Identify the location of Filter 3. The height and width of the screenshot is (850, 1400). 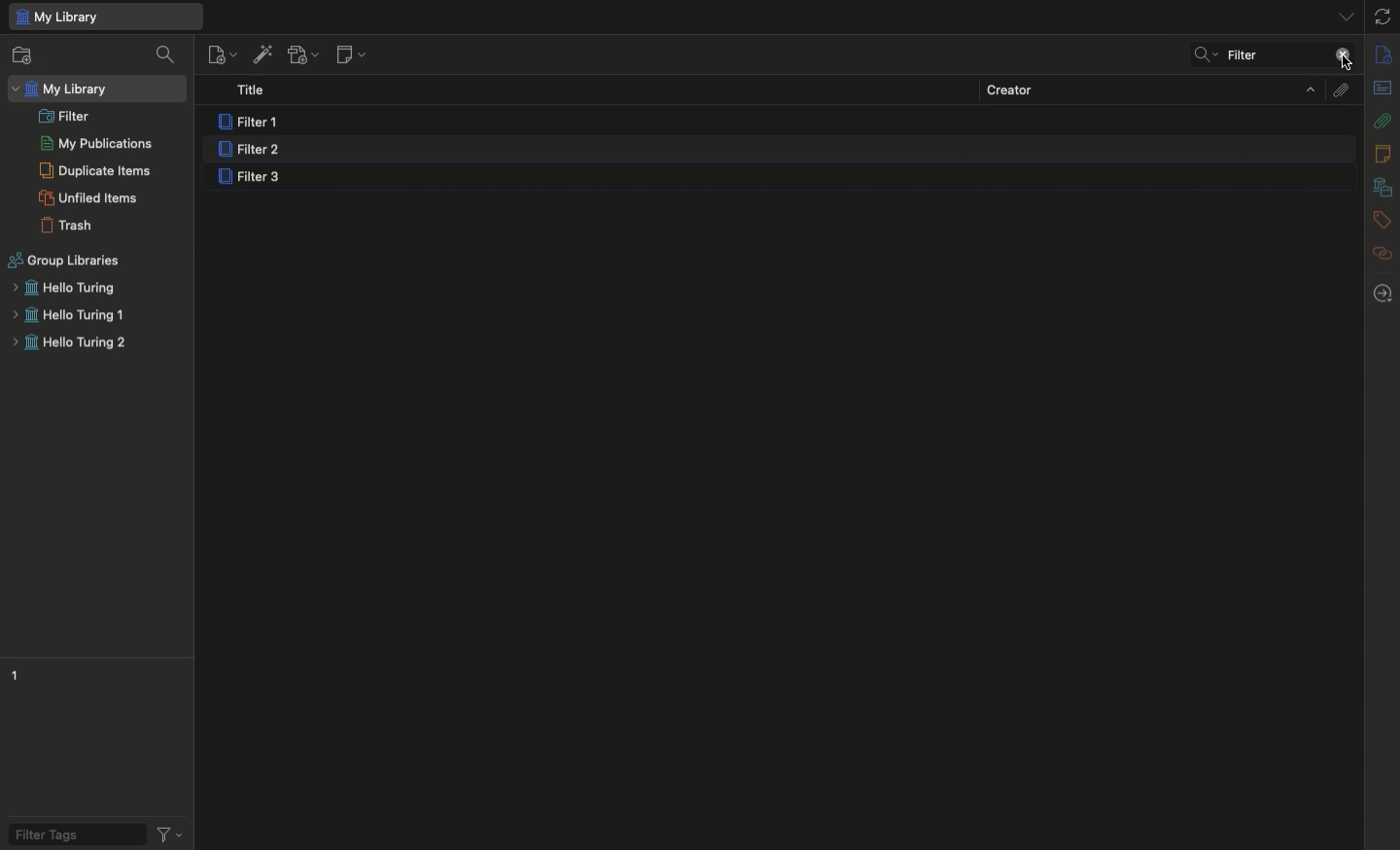
(254, 179).